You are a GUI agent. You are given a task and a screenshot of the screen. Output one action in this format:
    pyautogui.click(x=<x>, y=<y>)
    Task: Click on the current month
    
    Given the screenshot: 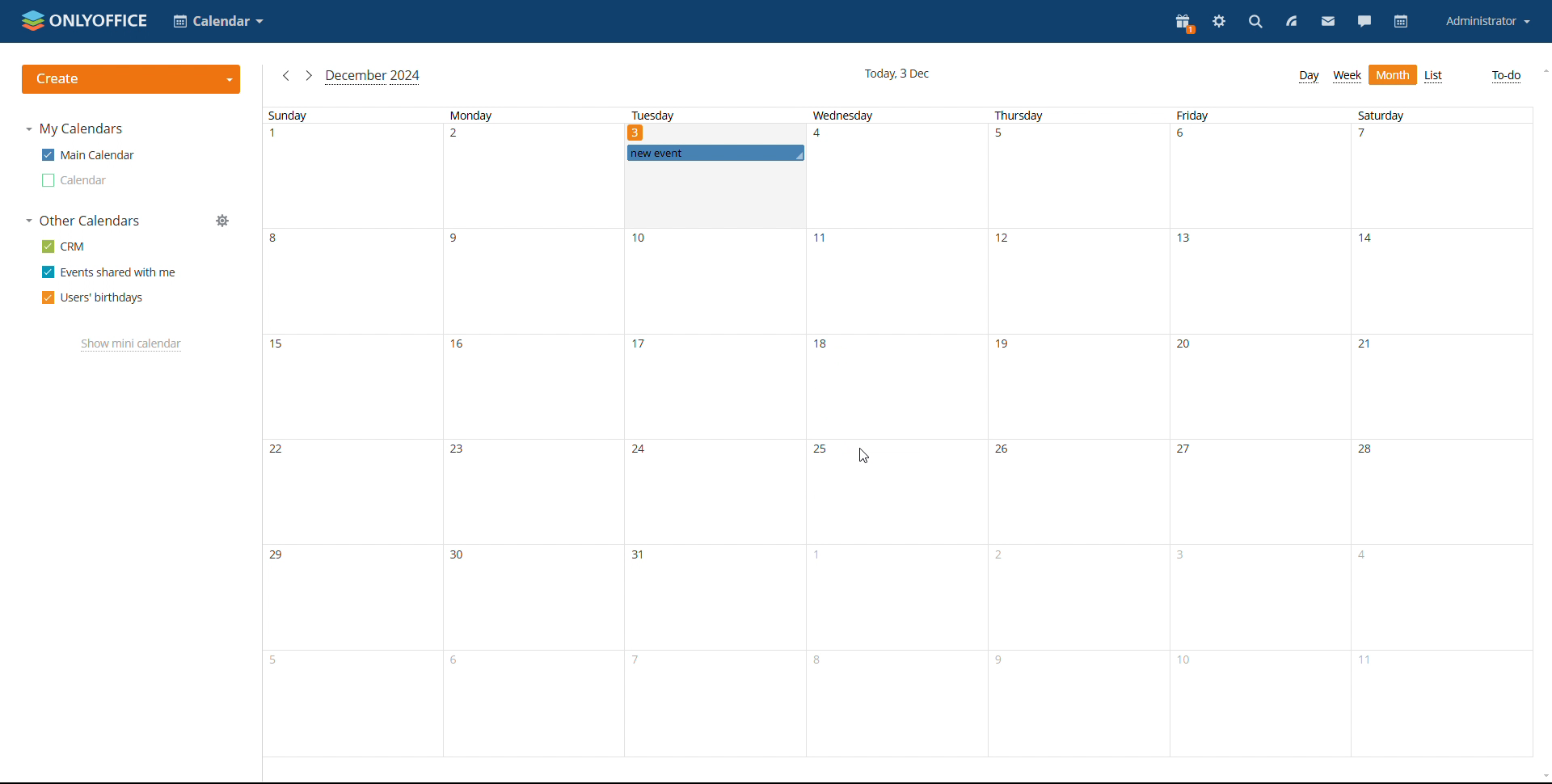 What is the action you would take?
    pyautogui.click(x=373, y=77)
    